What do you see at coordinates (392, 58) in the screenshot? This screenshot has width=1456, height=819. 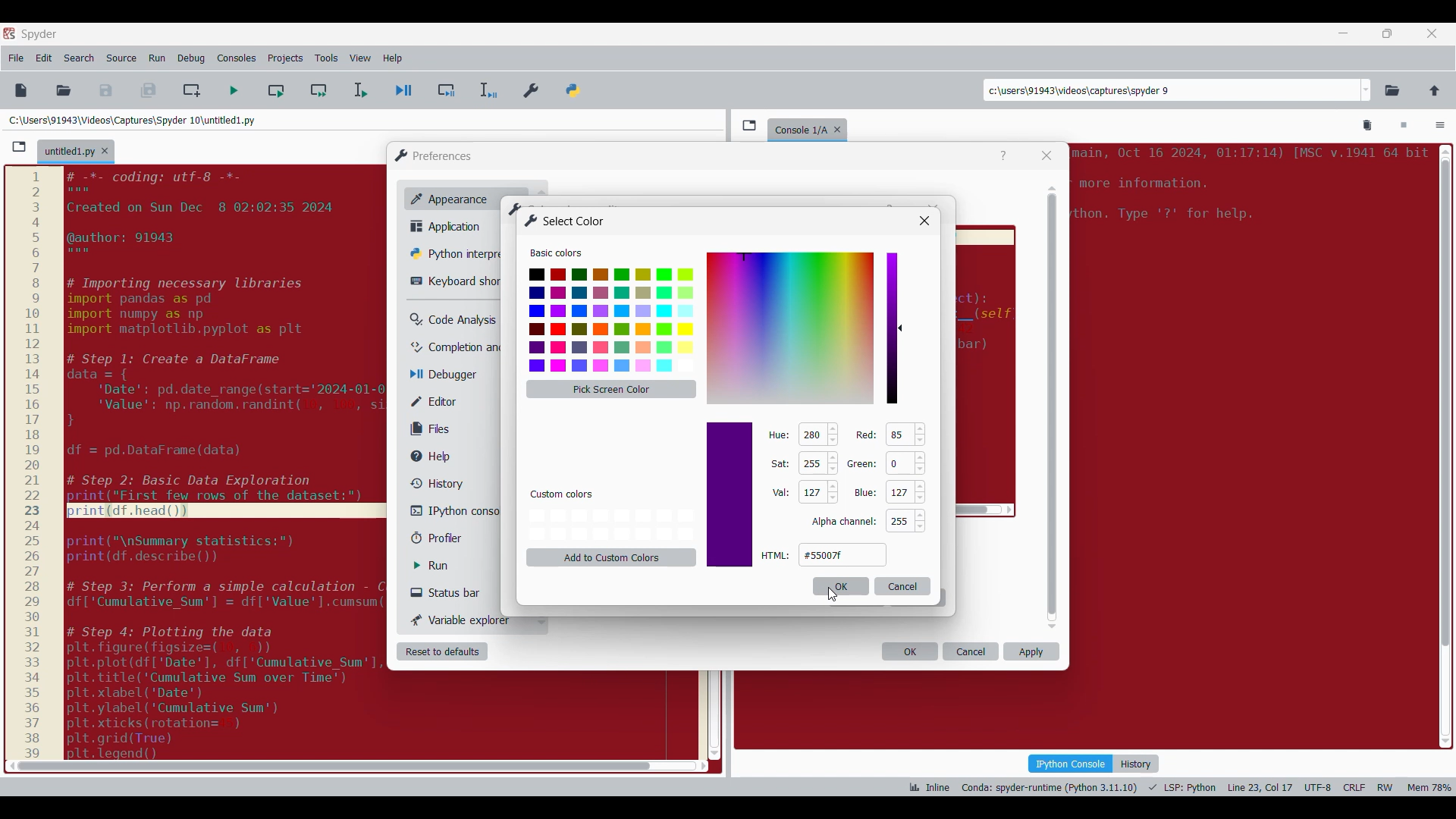 I see `Help menu` at bounding box center [392, 58].